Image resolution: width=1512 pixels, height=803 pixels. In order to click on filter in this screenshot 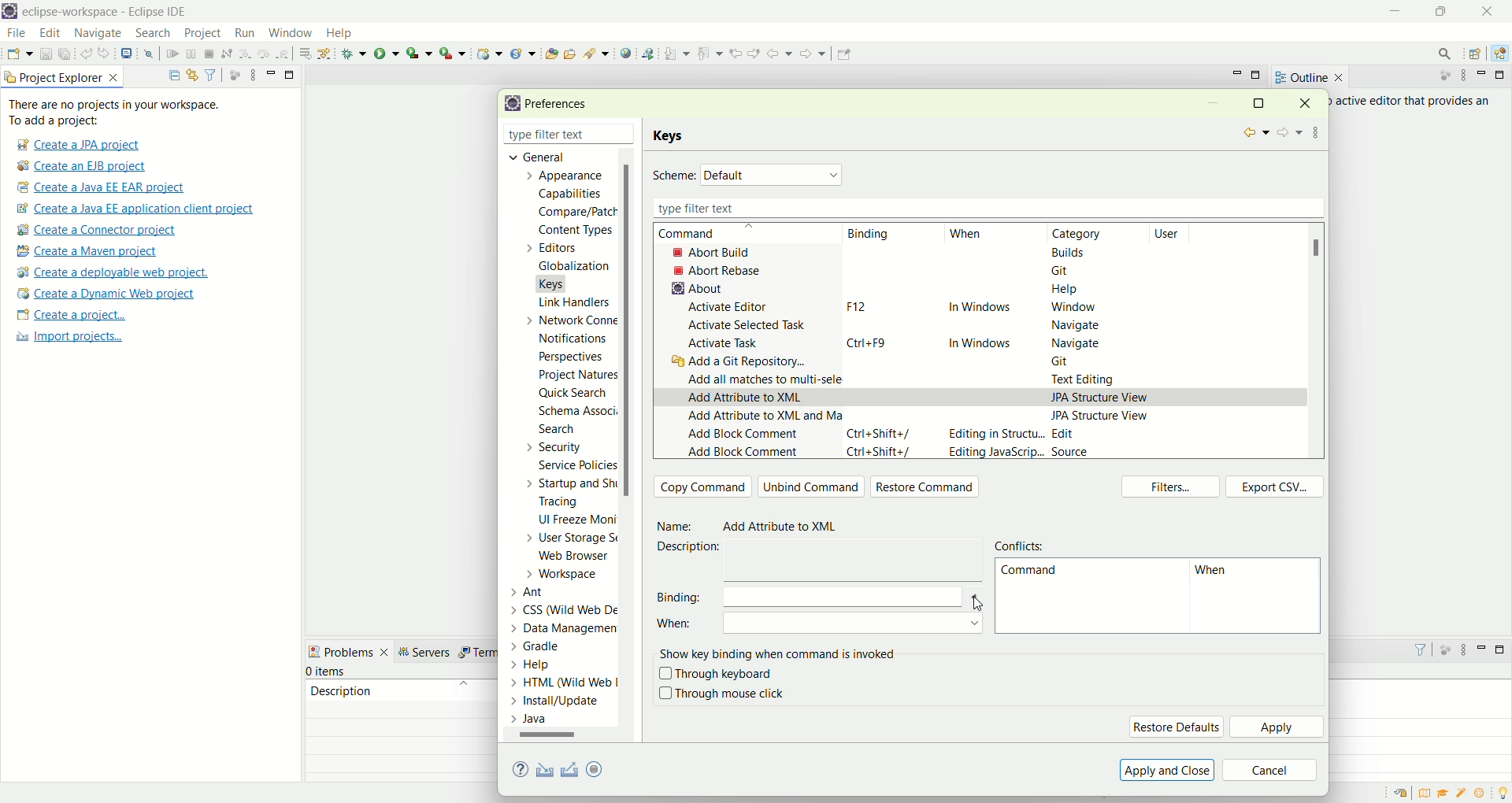, I will do `click(1414, 649)`.